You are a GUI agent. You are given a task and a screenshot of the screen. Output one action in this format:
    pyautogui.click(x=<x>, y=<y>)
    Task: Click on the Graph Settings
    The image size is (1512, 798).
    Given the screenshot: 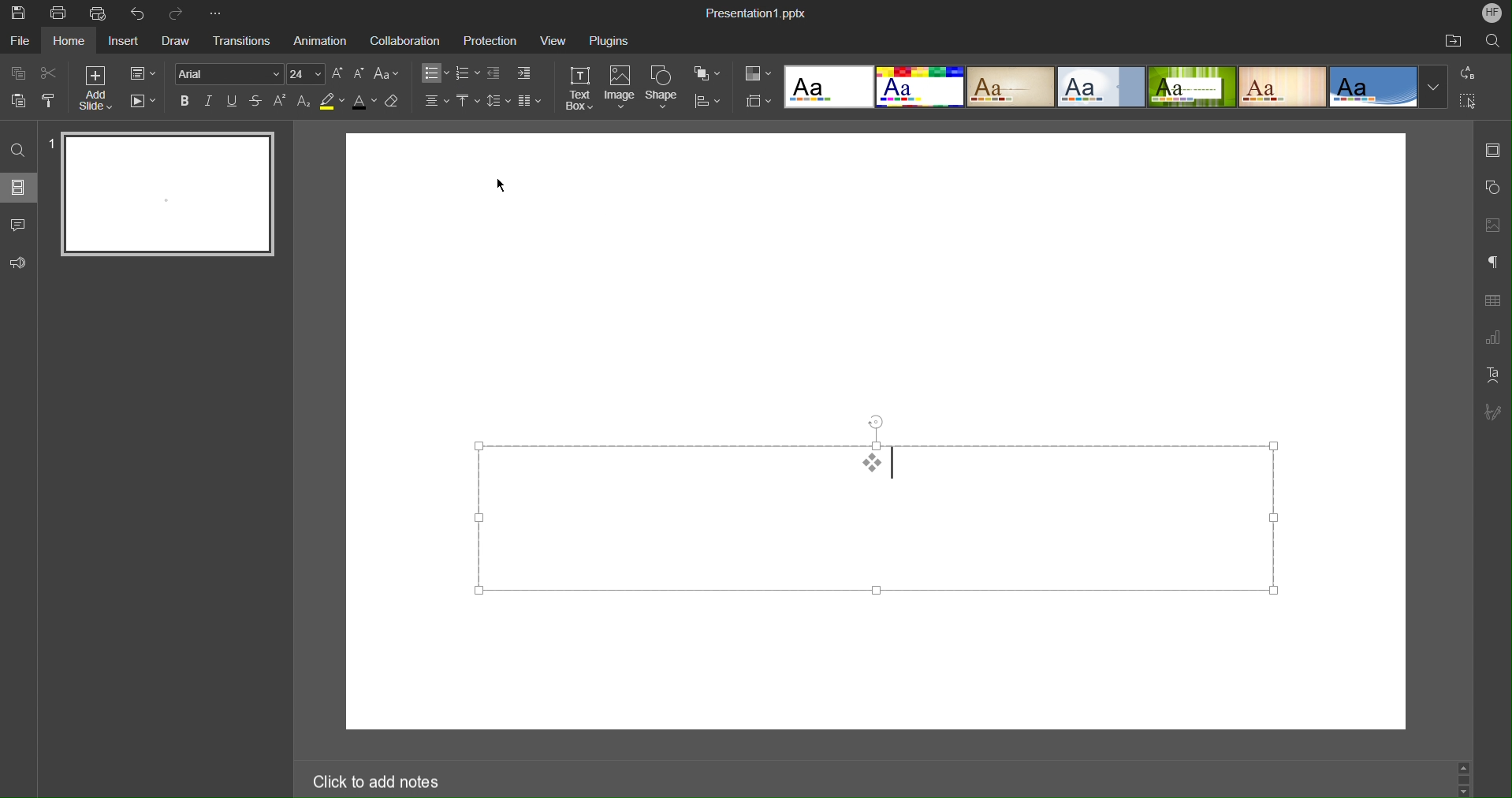 What is the action you would take?
    pyautogui.click(x=1494, y=334)
    